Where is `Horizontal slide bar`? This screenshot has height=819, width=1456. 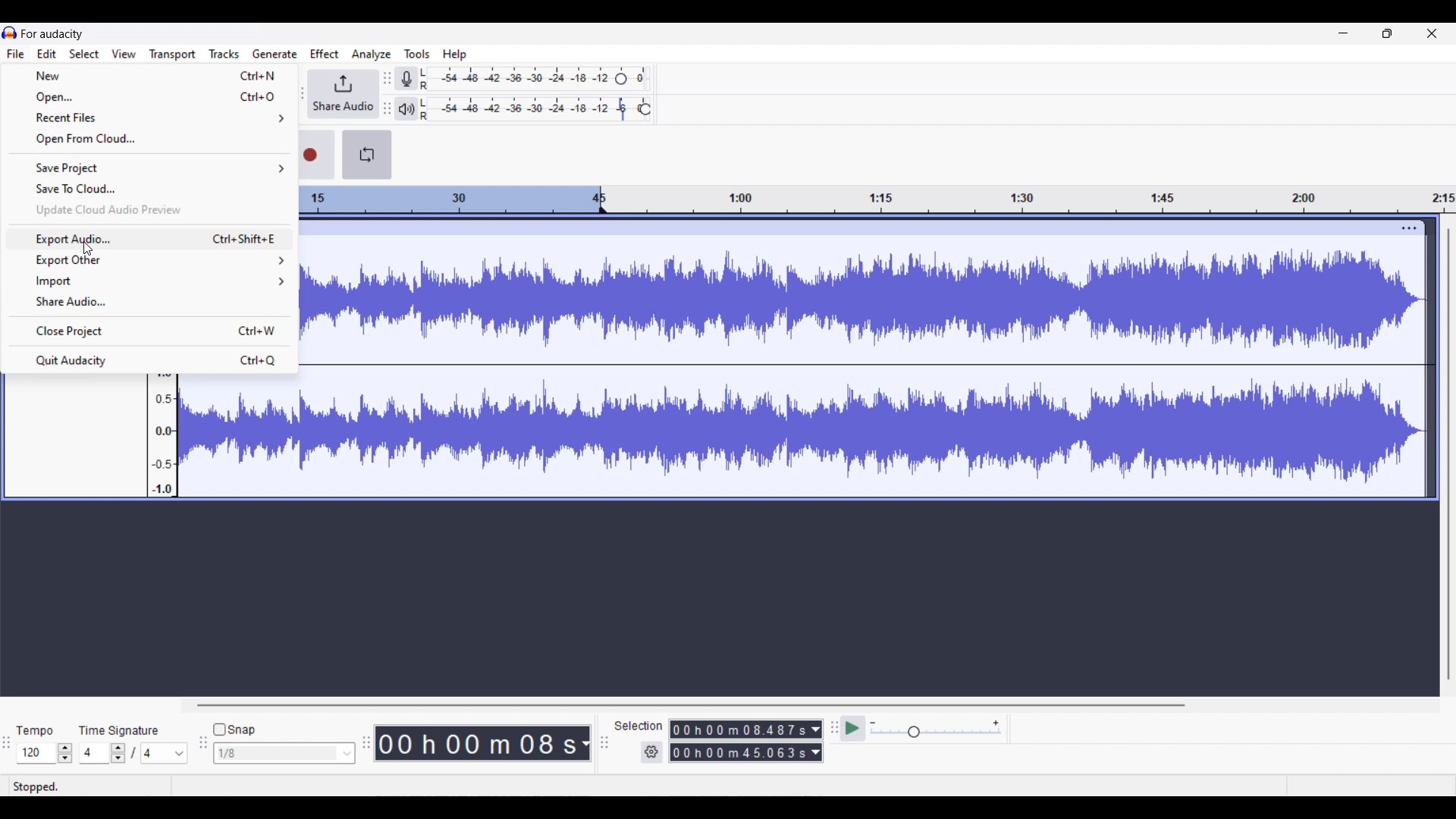
Horizontal slide bar is located at coordinates (690, 705).